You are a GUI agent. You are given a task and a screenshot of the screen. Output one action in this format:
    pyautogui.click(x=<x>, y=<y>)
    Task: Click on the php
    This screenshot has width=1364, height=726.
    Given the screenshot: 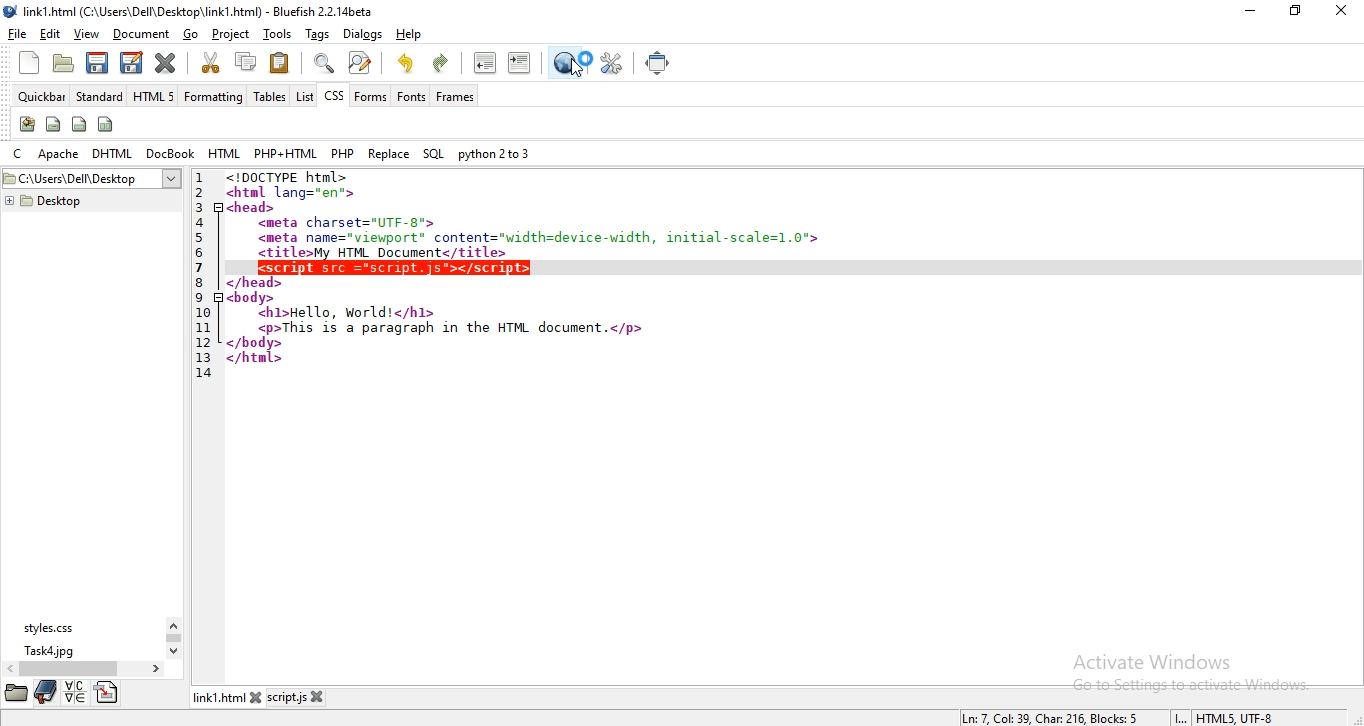 What is the action you would take?
    pyautogui.click(x=343, y=153)
    